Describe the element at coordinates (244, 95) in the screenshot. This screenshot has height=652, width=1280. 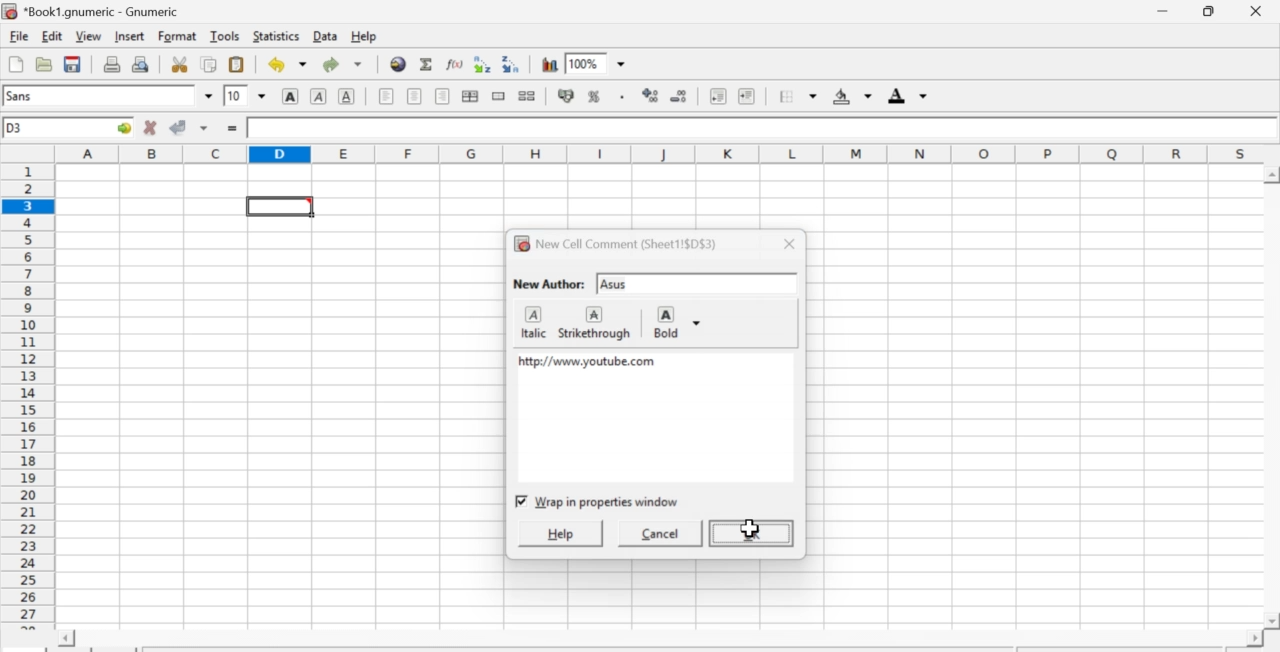
I see `Font Size` at that location.